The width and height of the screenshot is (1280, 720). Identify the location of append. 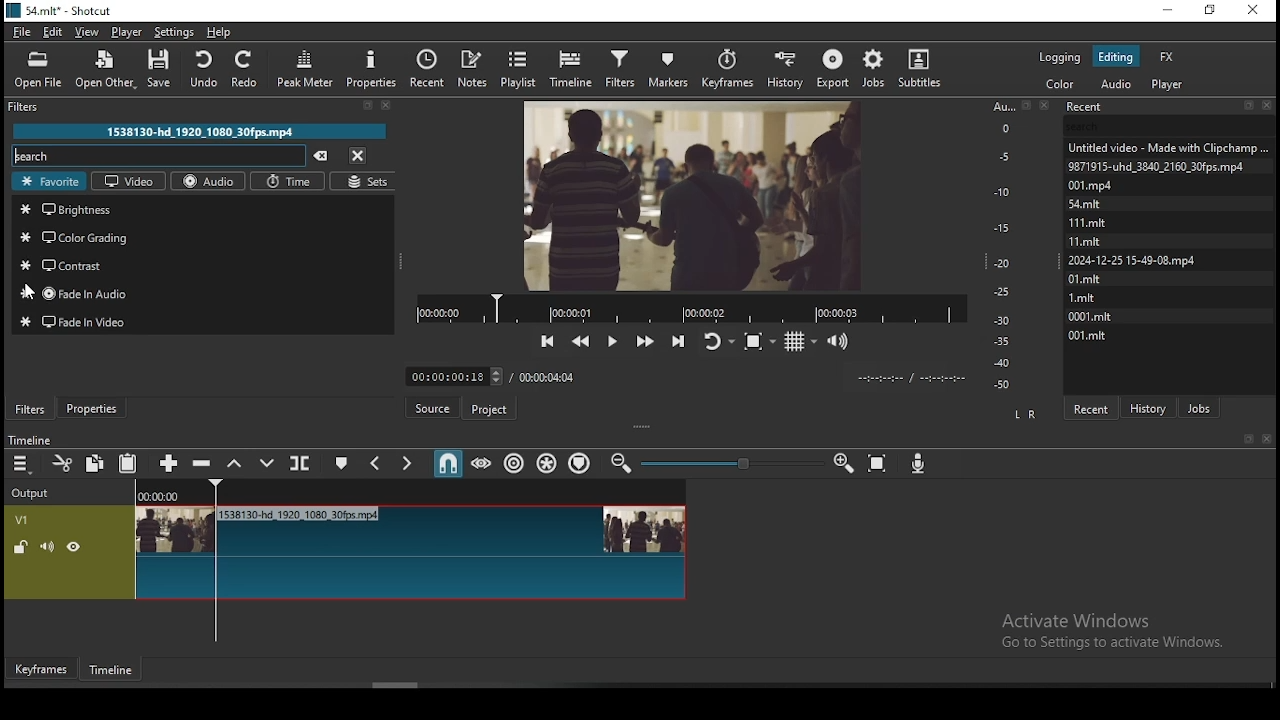
(168, 464).